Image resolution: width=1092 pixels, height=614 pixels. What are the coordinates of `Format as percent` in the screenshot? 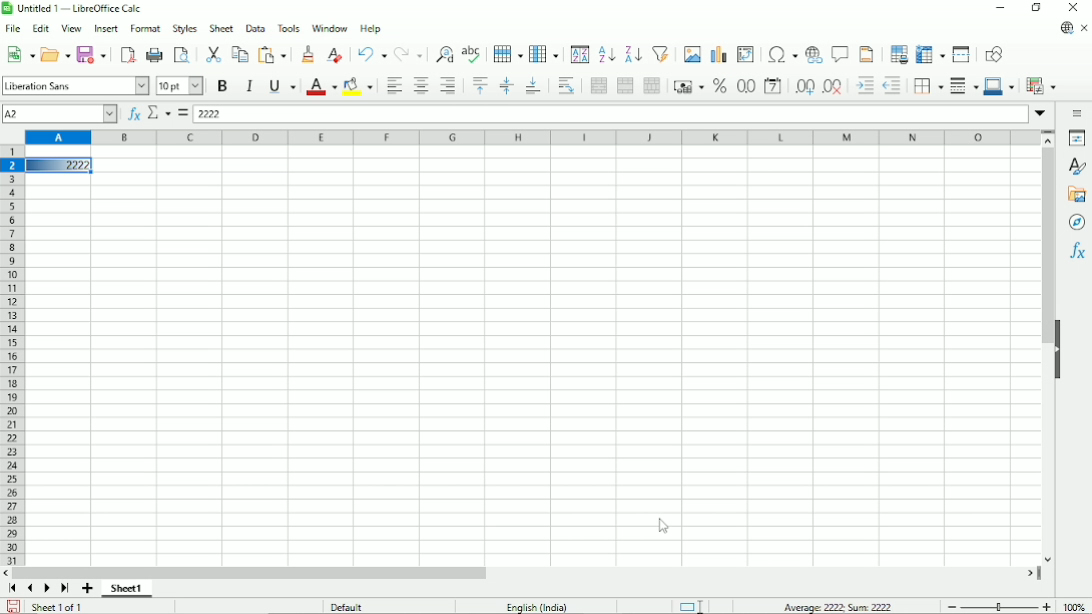 It's located at (718, 86).